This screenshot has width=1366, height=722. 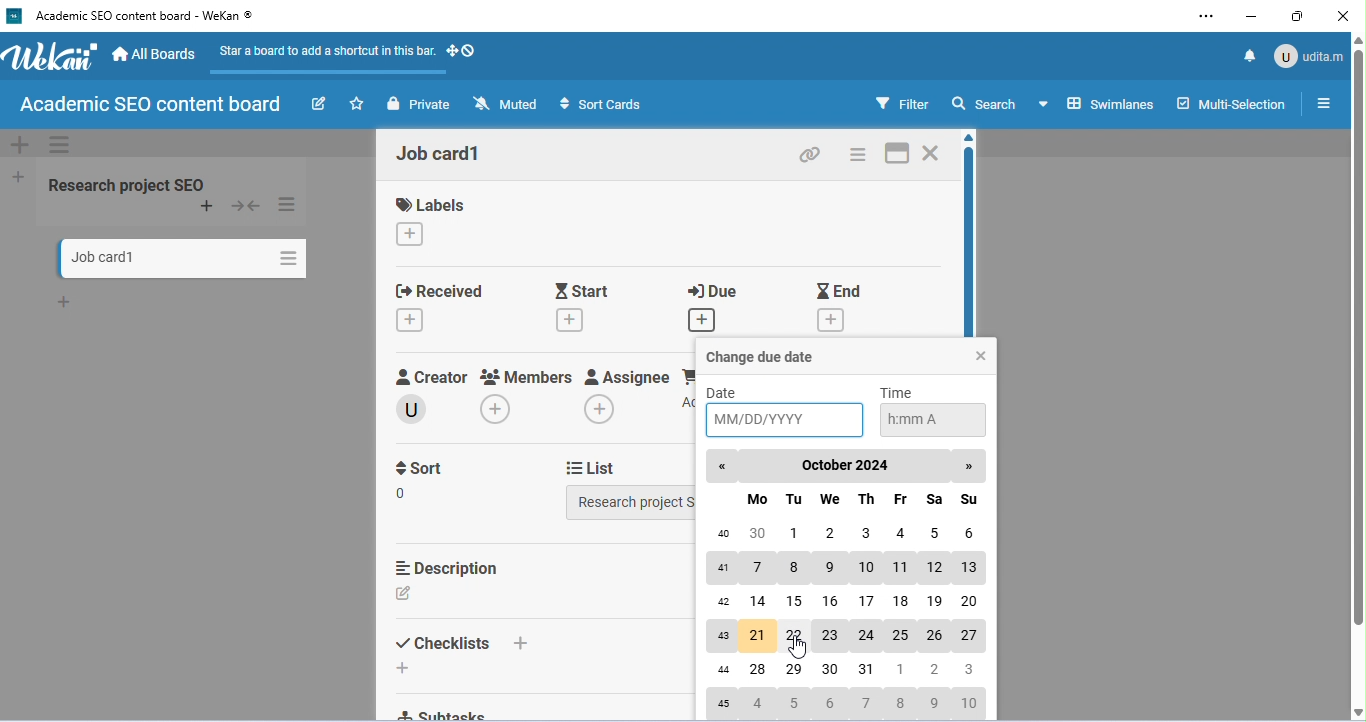 I want to click on add members, so click(x=502, y=409).